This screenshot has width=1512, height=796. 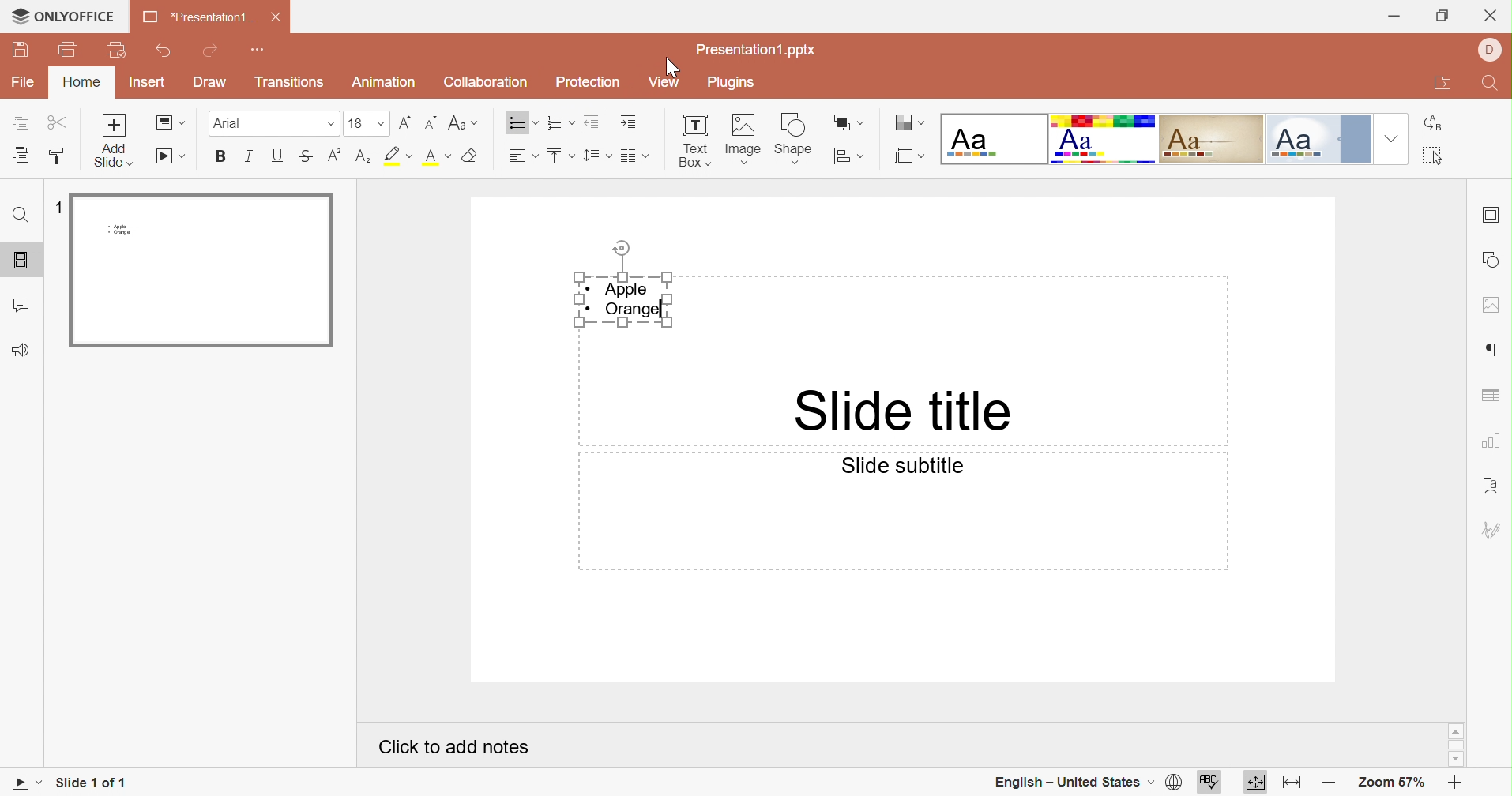 I want to click on Quick Print, so click(x=116, y=52).